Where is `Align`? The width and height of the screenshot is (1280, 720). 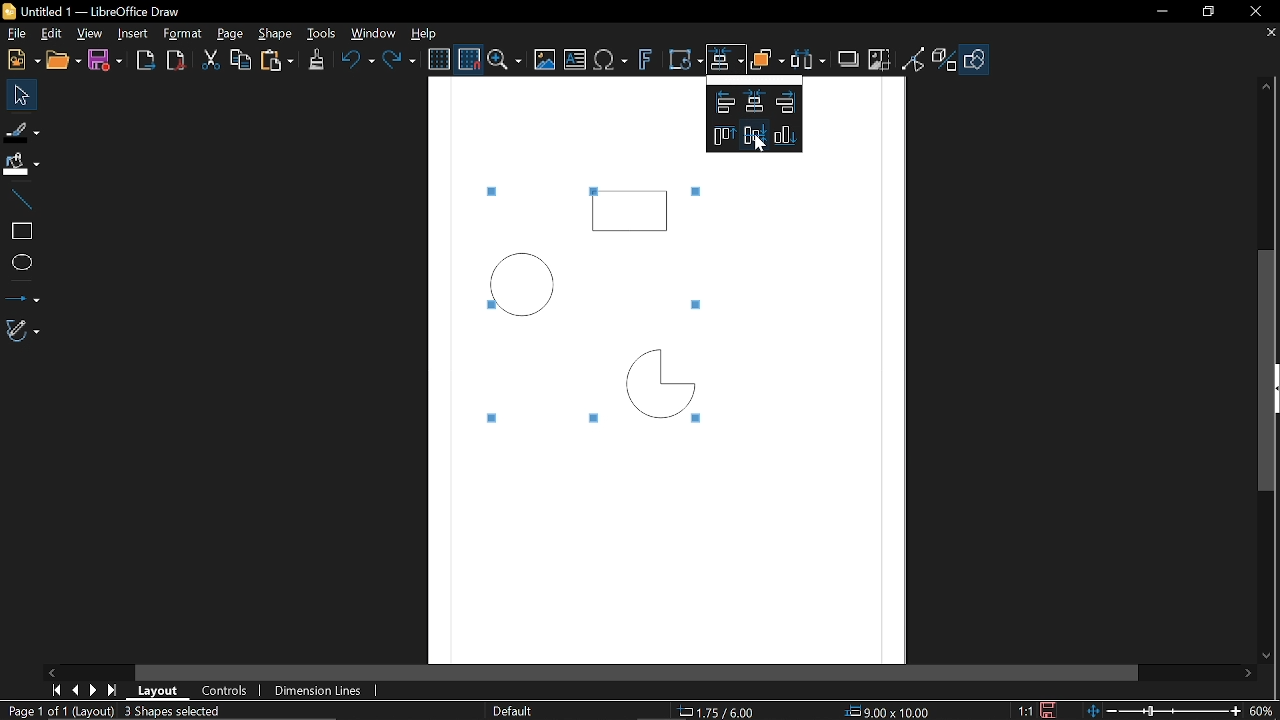 Align is located at coordinates (726, 60).